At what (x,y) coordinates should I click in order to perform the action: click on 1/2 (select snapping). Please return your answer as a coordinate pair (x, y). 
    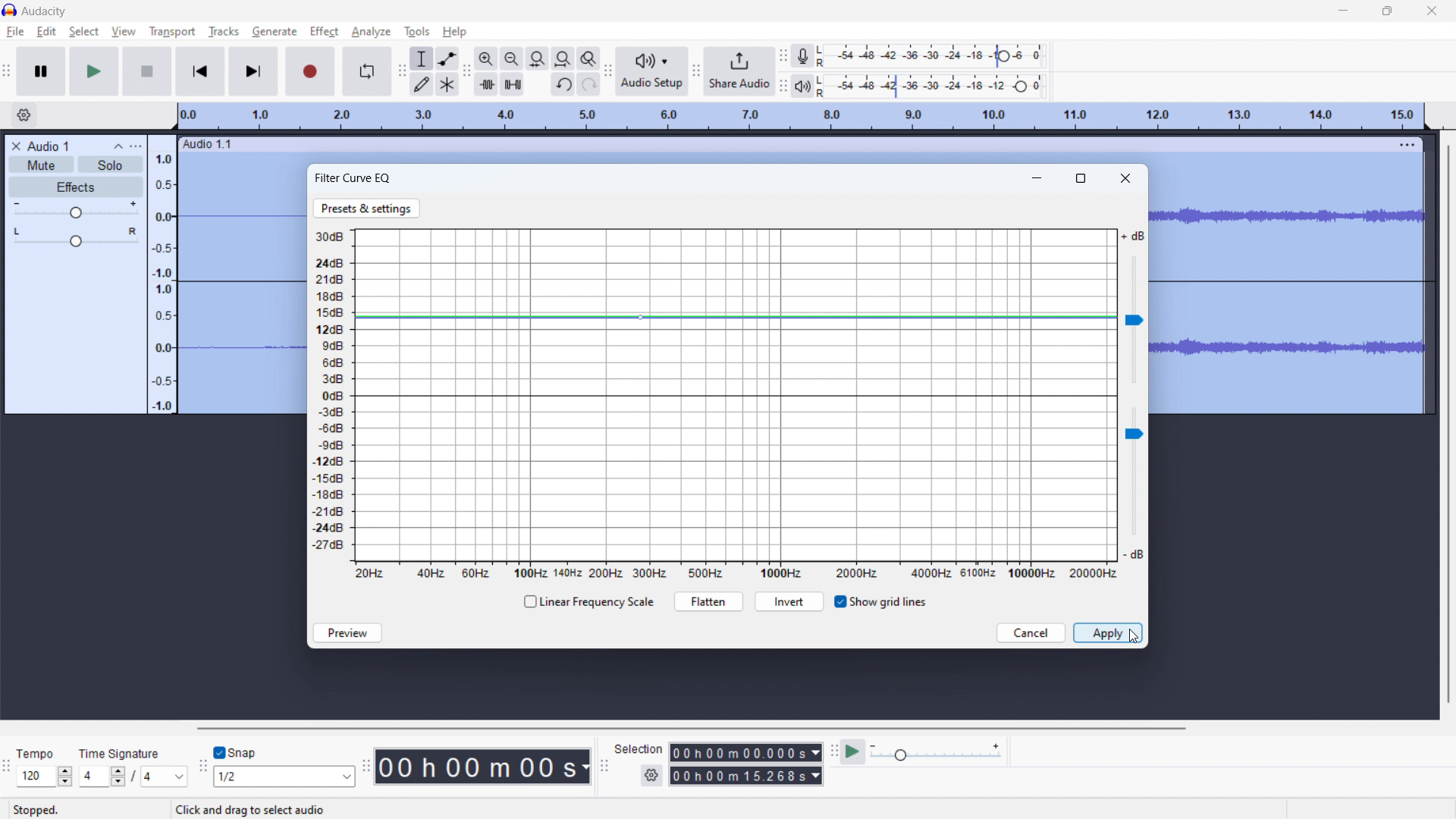
    Looking at the image, I should click on (285, 776).